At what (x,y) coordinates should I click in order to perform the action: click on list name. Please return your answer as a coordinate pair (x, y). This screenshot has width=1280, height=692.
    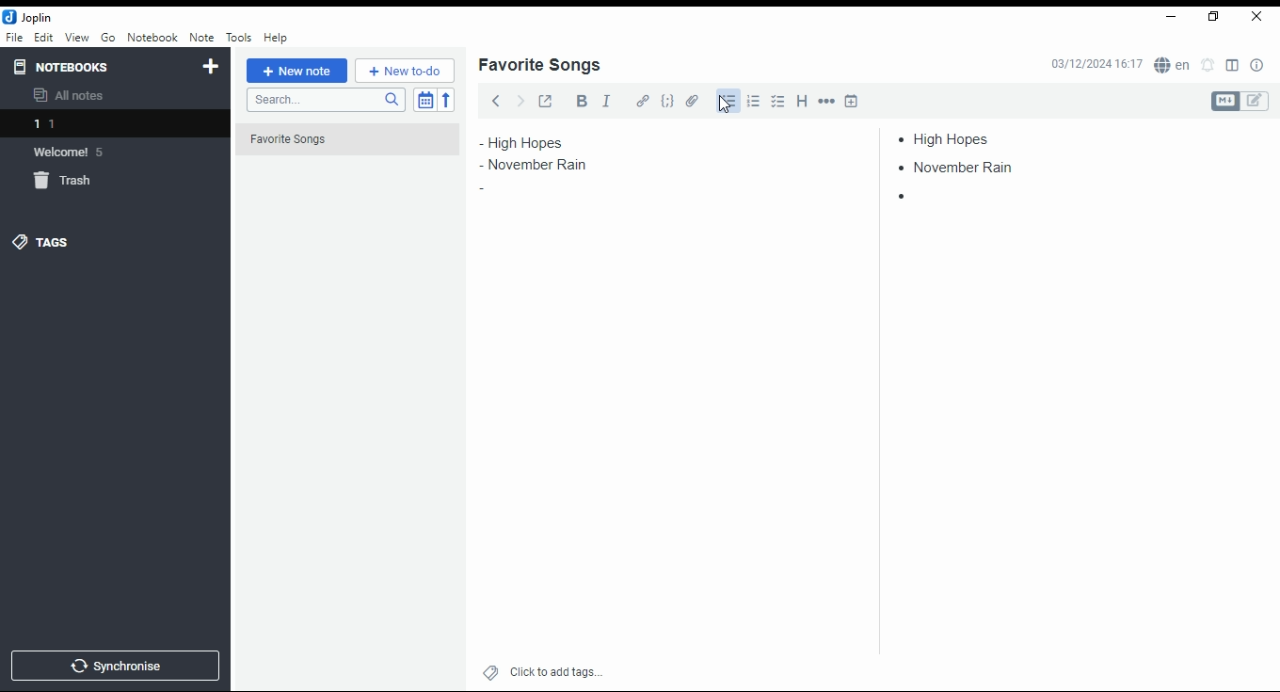
    Looking at the image, I should click on (539, 66).